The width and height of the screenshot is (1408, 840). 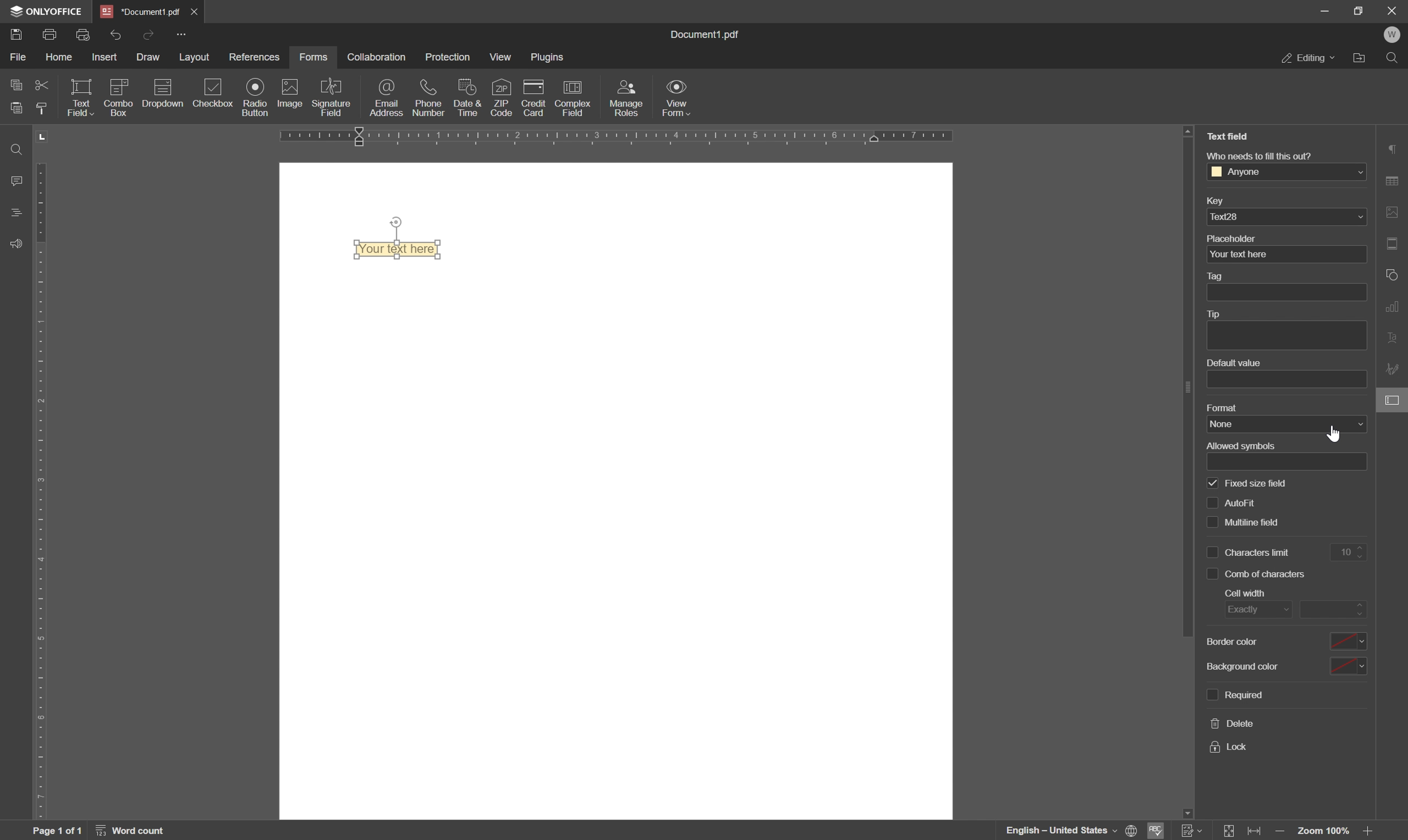 I want to click on text field, so click(x=81, y=98).